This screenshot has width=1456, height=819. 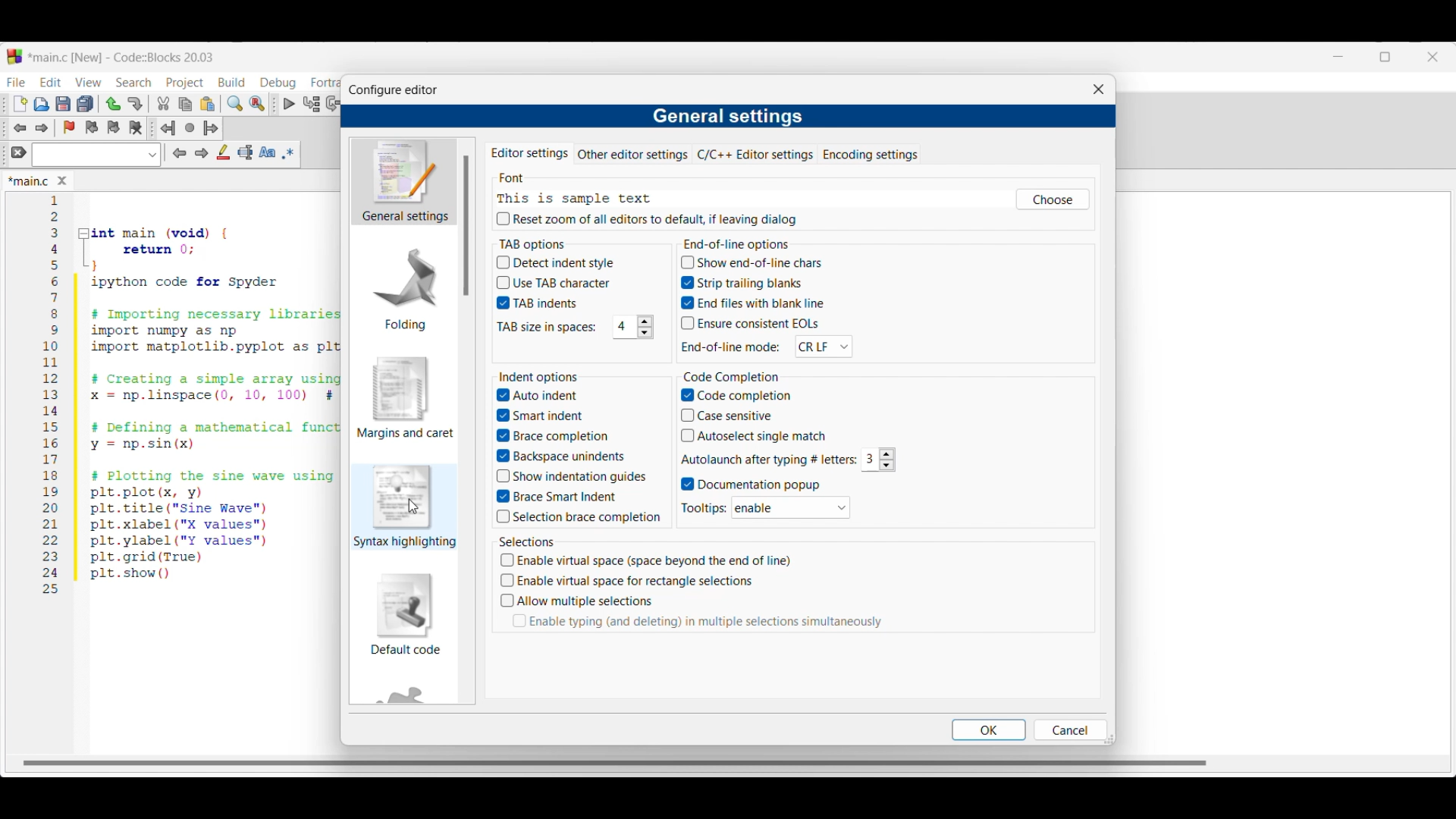 I want to click on Use regex, so click(x=288, y=153).